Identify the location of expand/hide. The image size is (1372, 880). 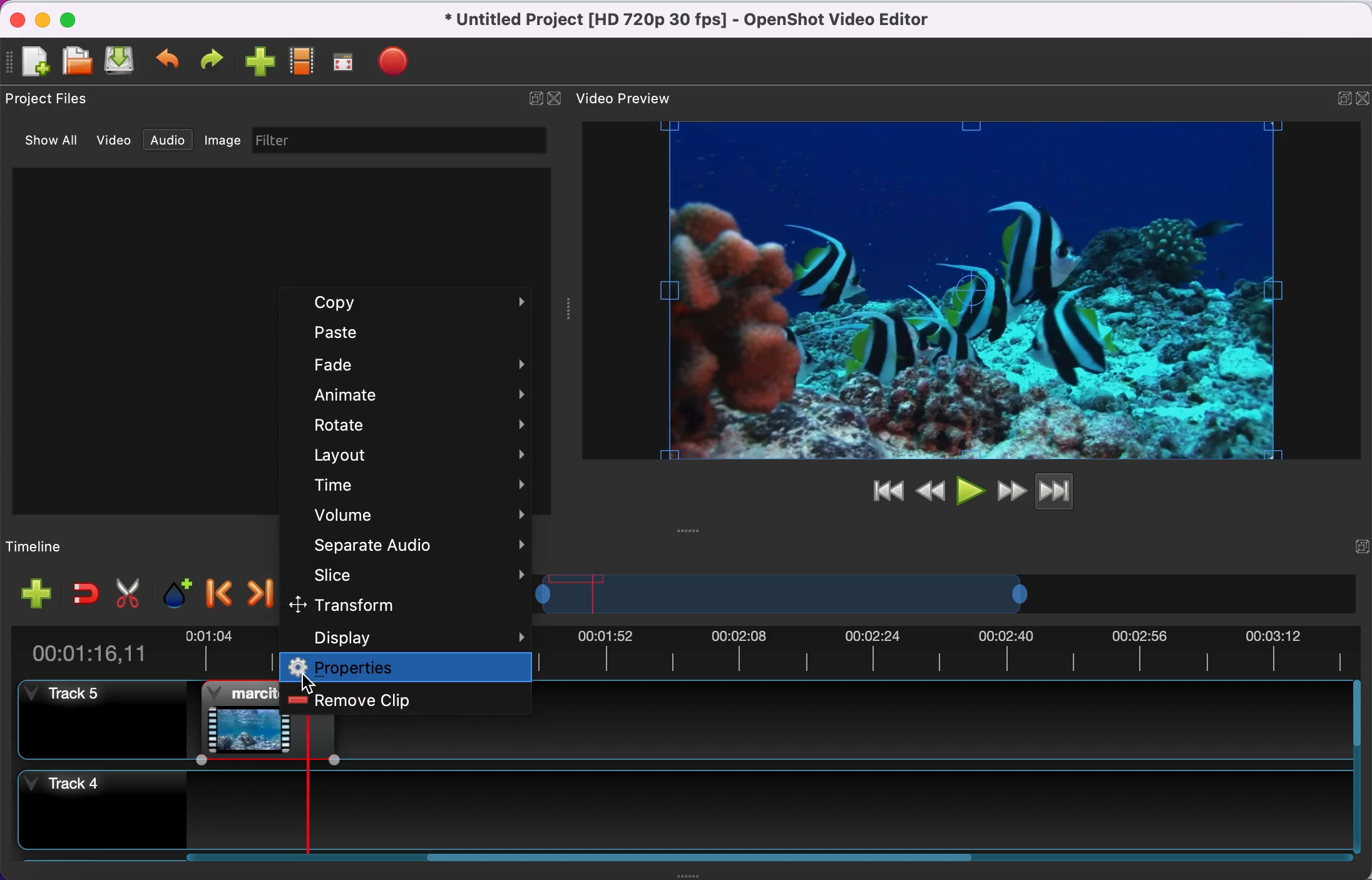
(1363, 95).